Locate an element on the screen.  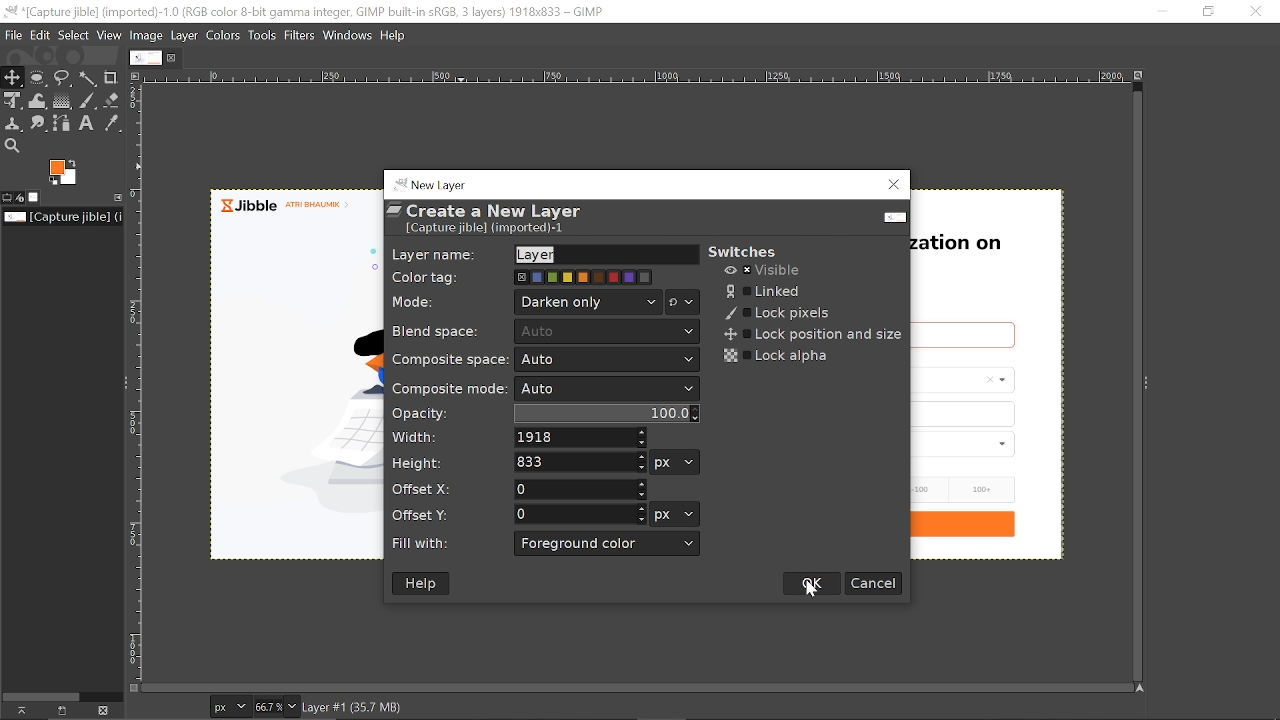
Current image is located at coordinates (1022, 373).